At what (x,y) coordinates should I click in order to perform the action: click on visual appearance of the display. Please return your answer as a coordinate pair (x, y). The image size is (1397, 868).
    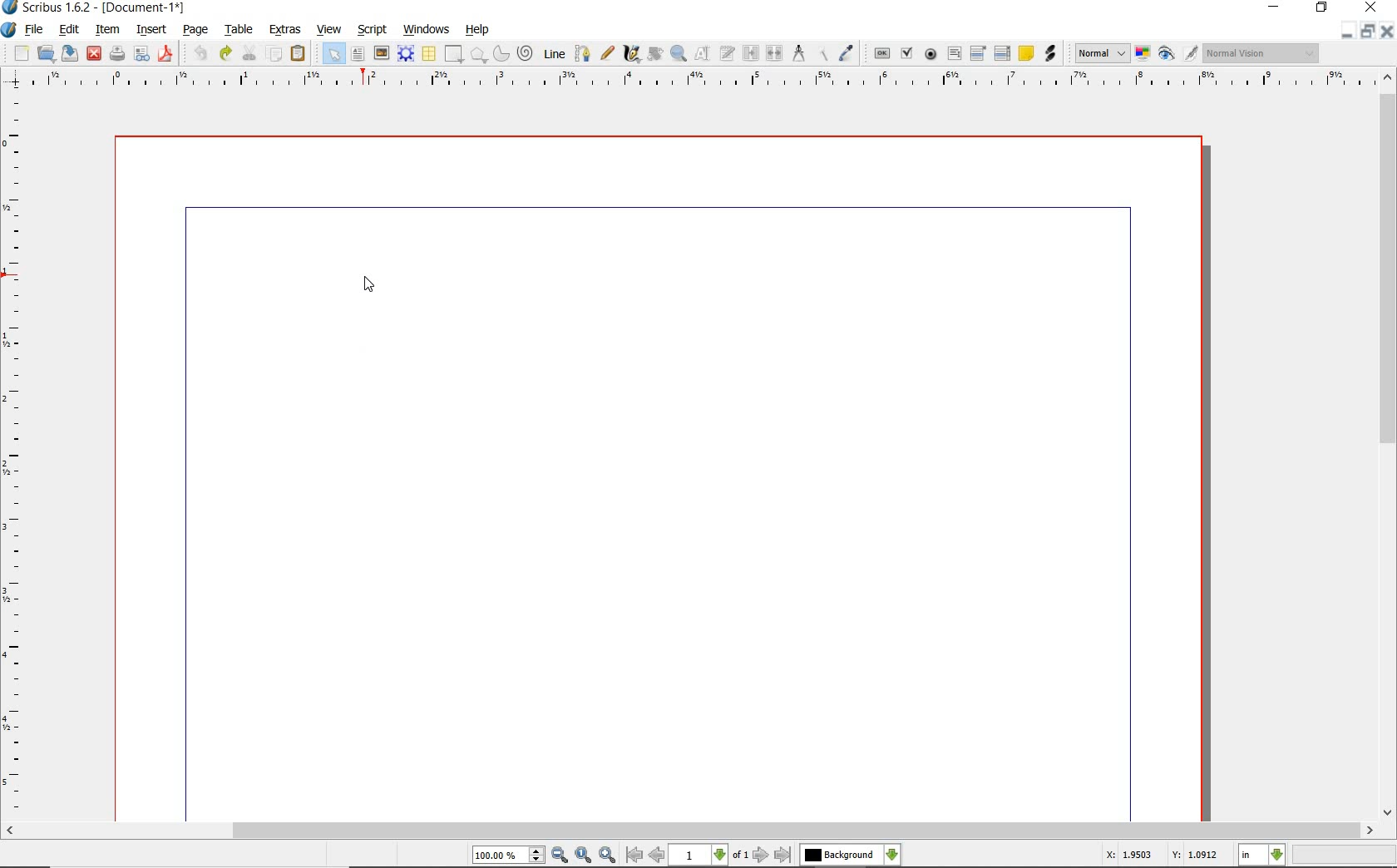
    Looking at the image, I should click on (1259, 53).